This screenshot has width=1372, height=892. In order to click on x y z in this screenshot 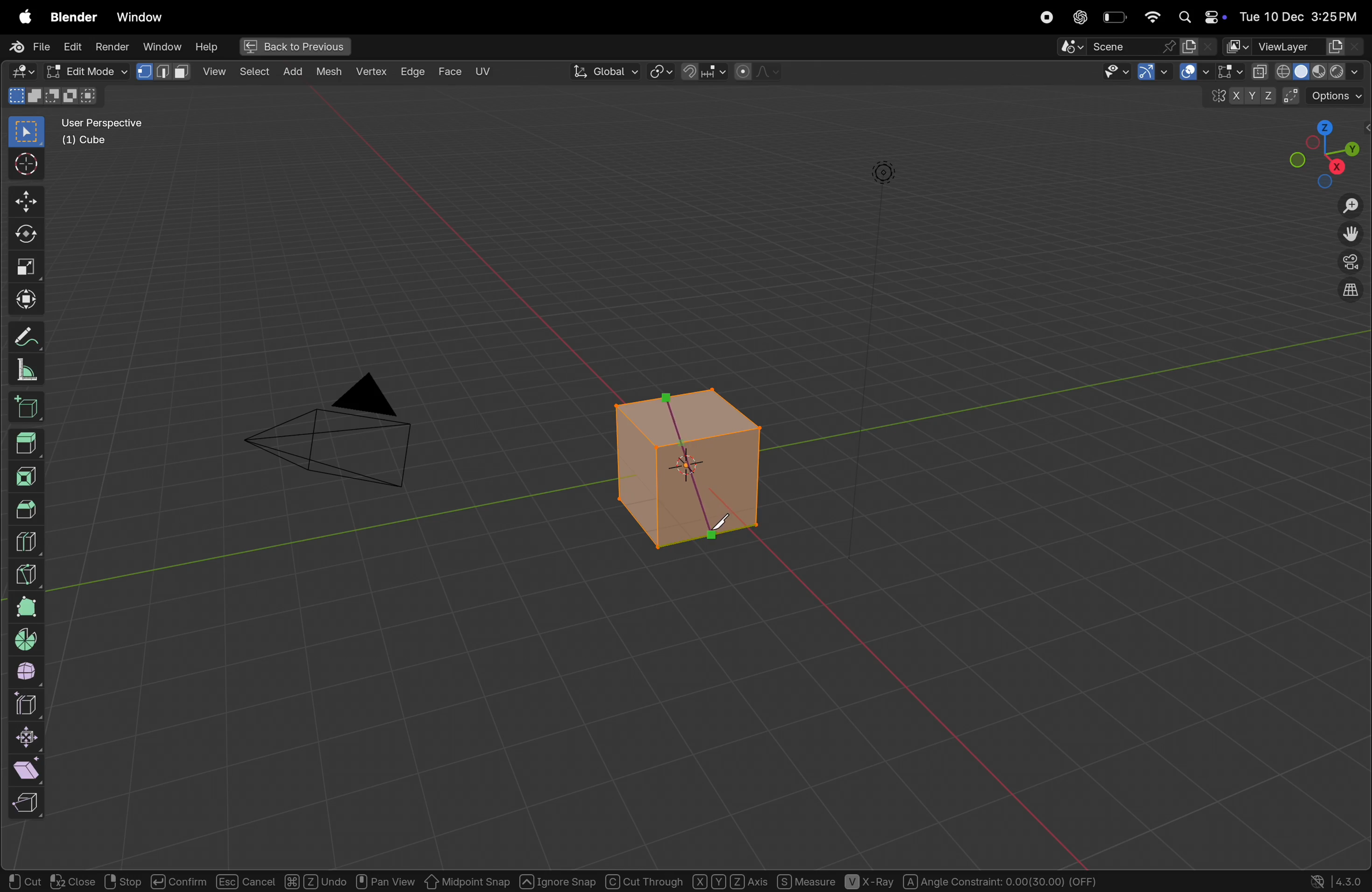, I will do `click(1239, 99)`.